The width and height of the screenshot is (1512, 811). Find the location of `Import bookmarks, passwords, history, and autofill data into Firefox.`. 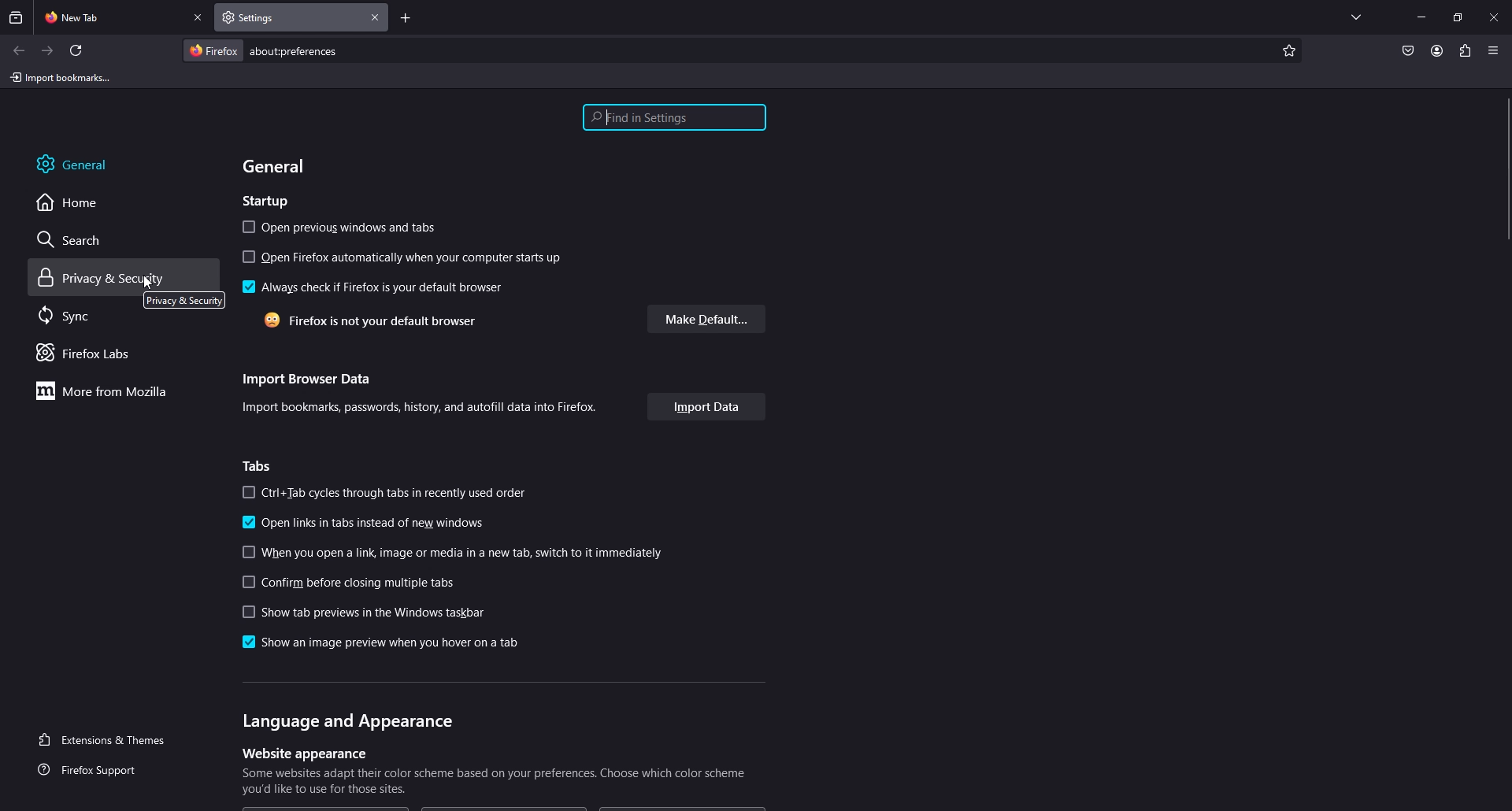

Import bookmarks, passwords, history, and autofill data into Firefox. is located at coordinates (424, 409).